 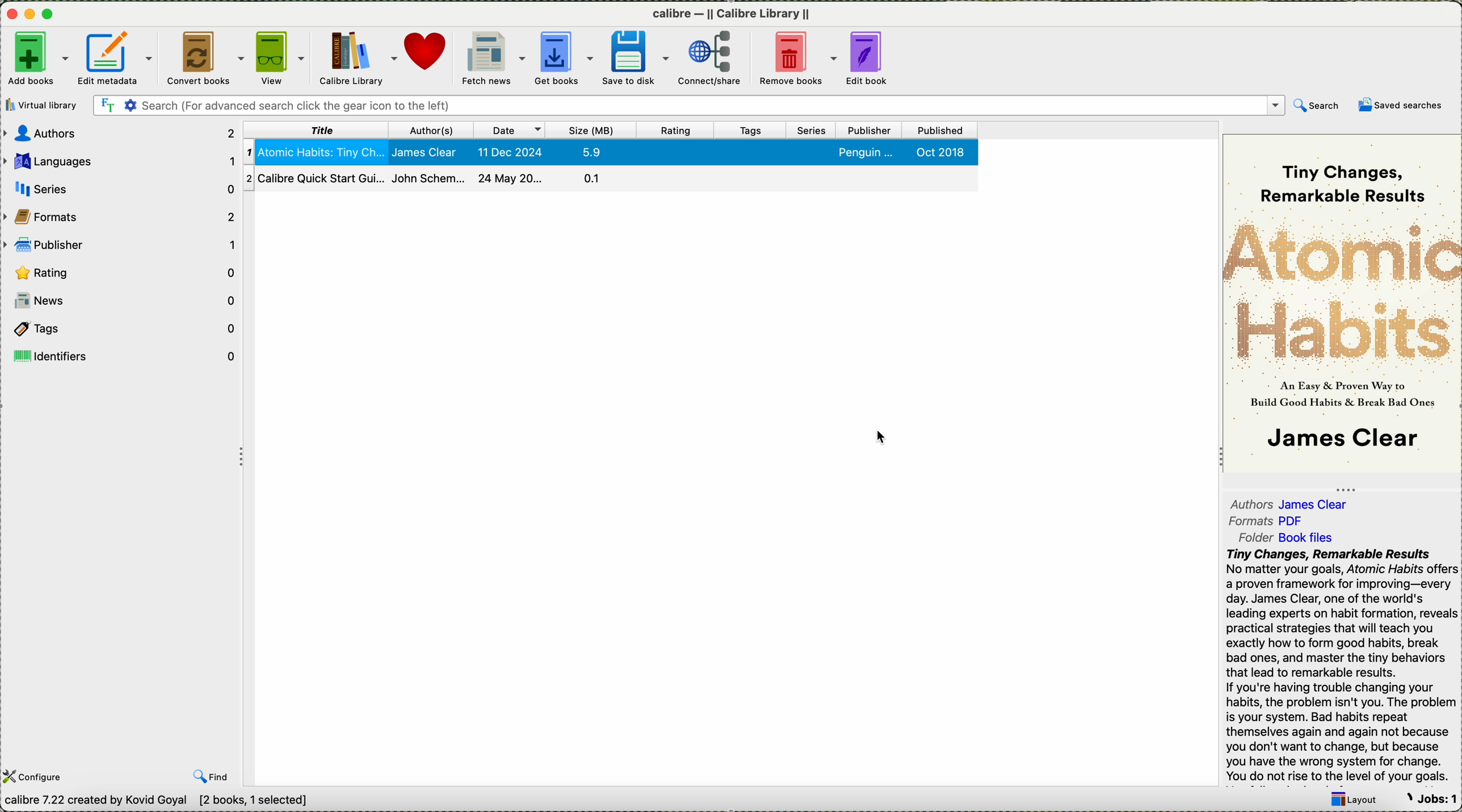 I want to click on convert books, so click(x=207, y=58).